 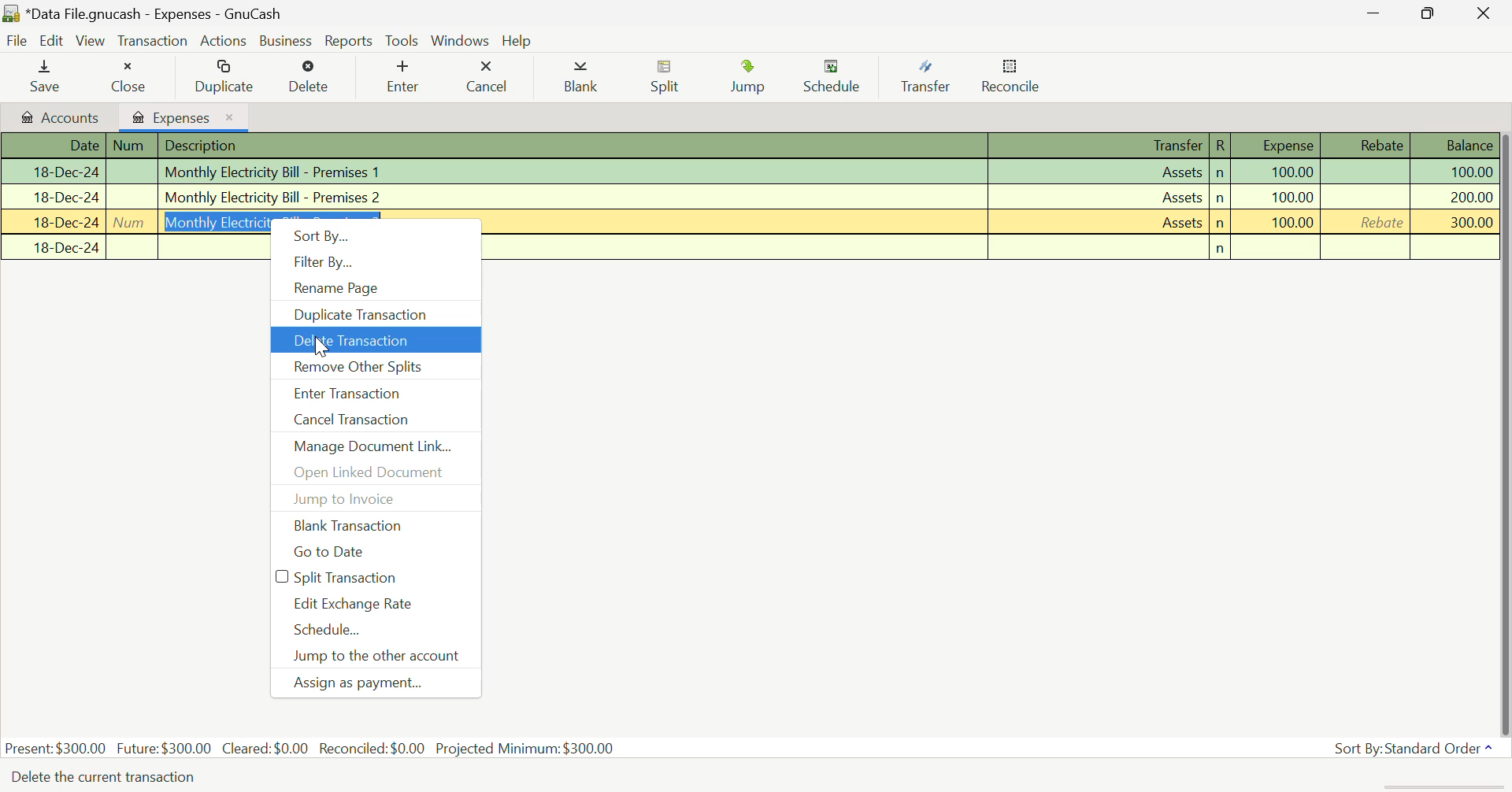 What do you see at coordinates (287, 41) in the screenshot?
I see `Business` at bounding box center [287, 41].